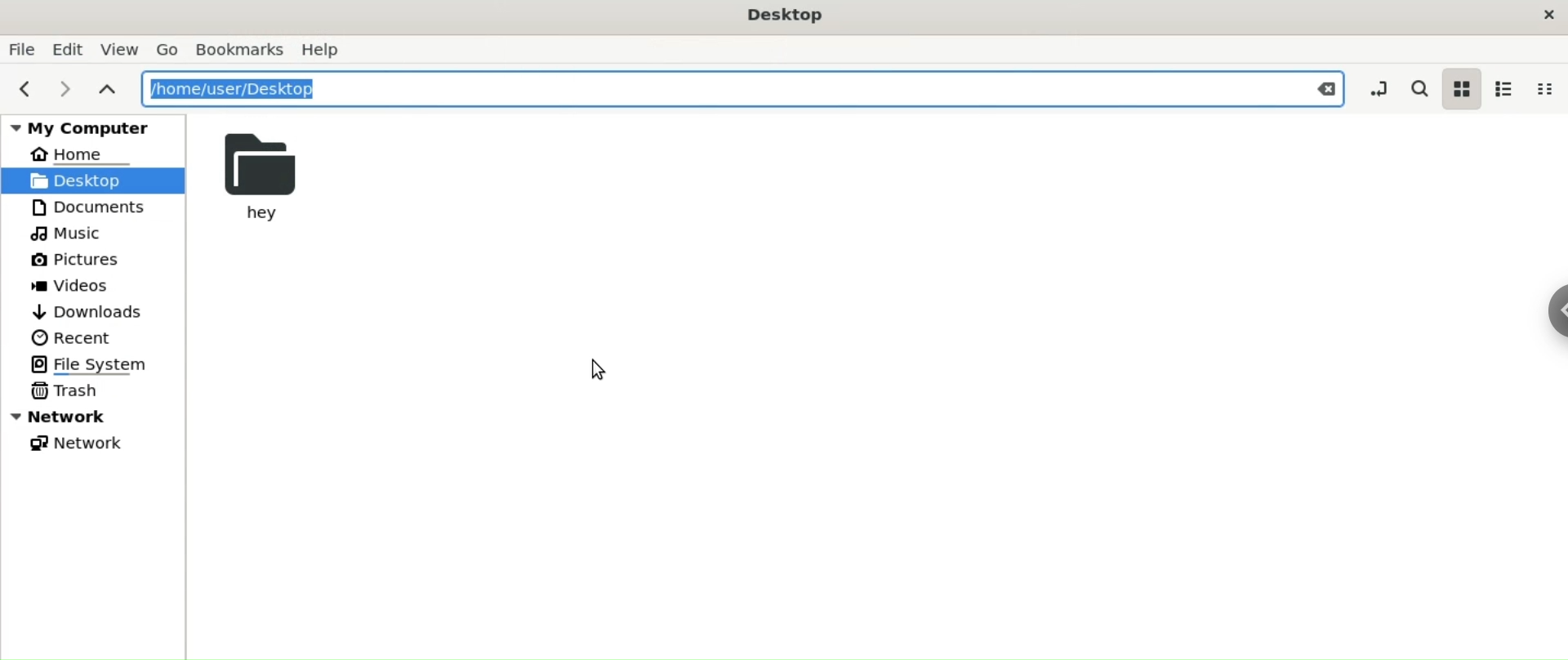 The height and width of the screenshot is (660, 1568). What do you see at coordinates (1422, 89) in the screenshot?
I see `search` at bounding box center [1422, 89].